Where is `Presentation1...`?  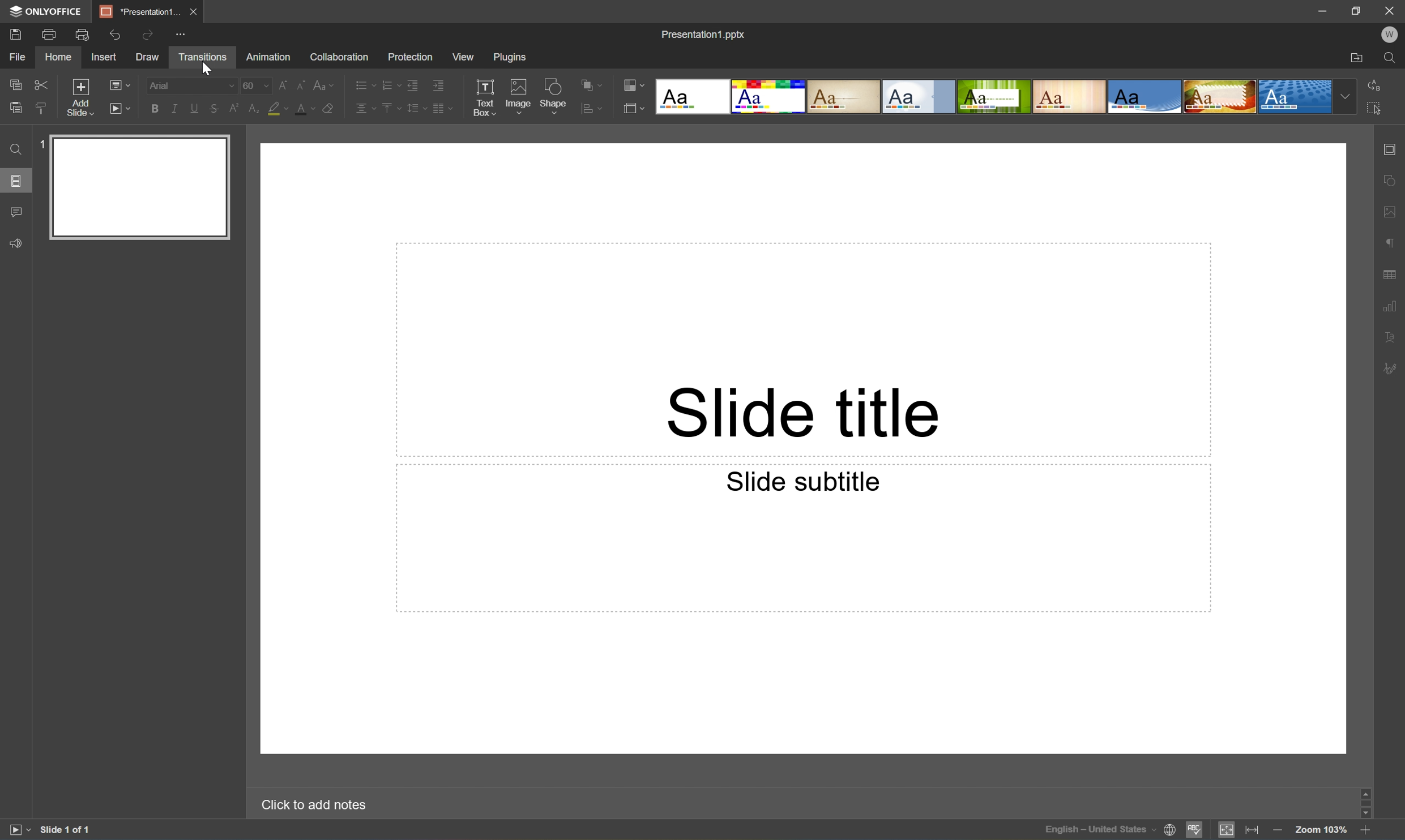
Presentation1... is located at coordinates (140, 11).